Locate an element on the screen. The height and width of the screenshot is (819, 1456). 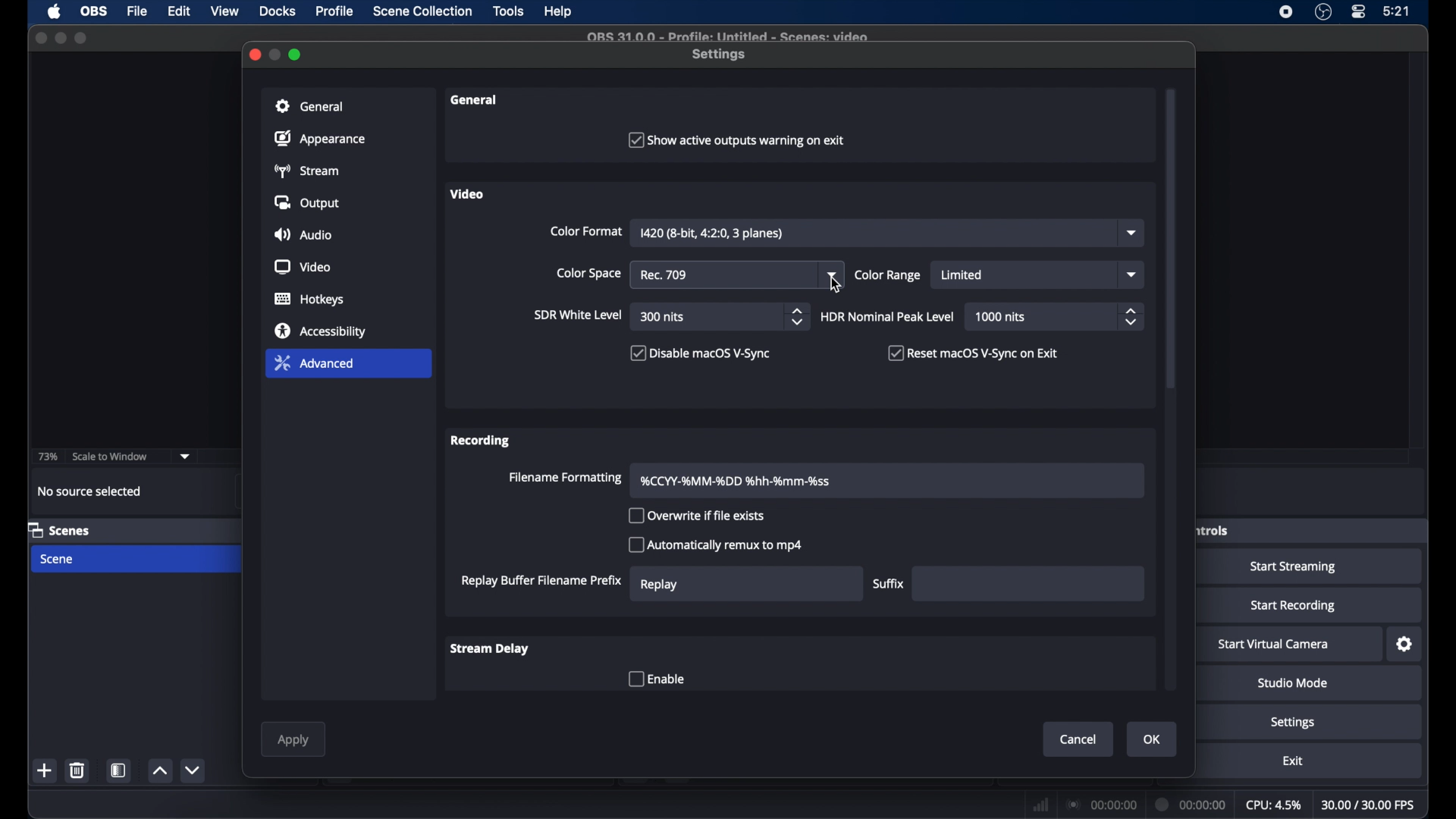
settings is located at coordinates (1405, 645).